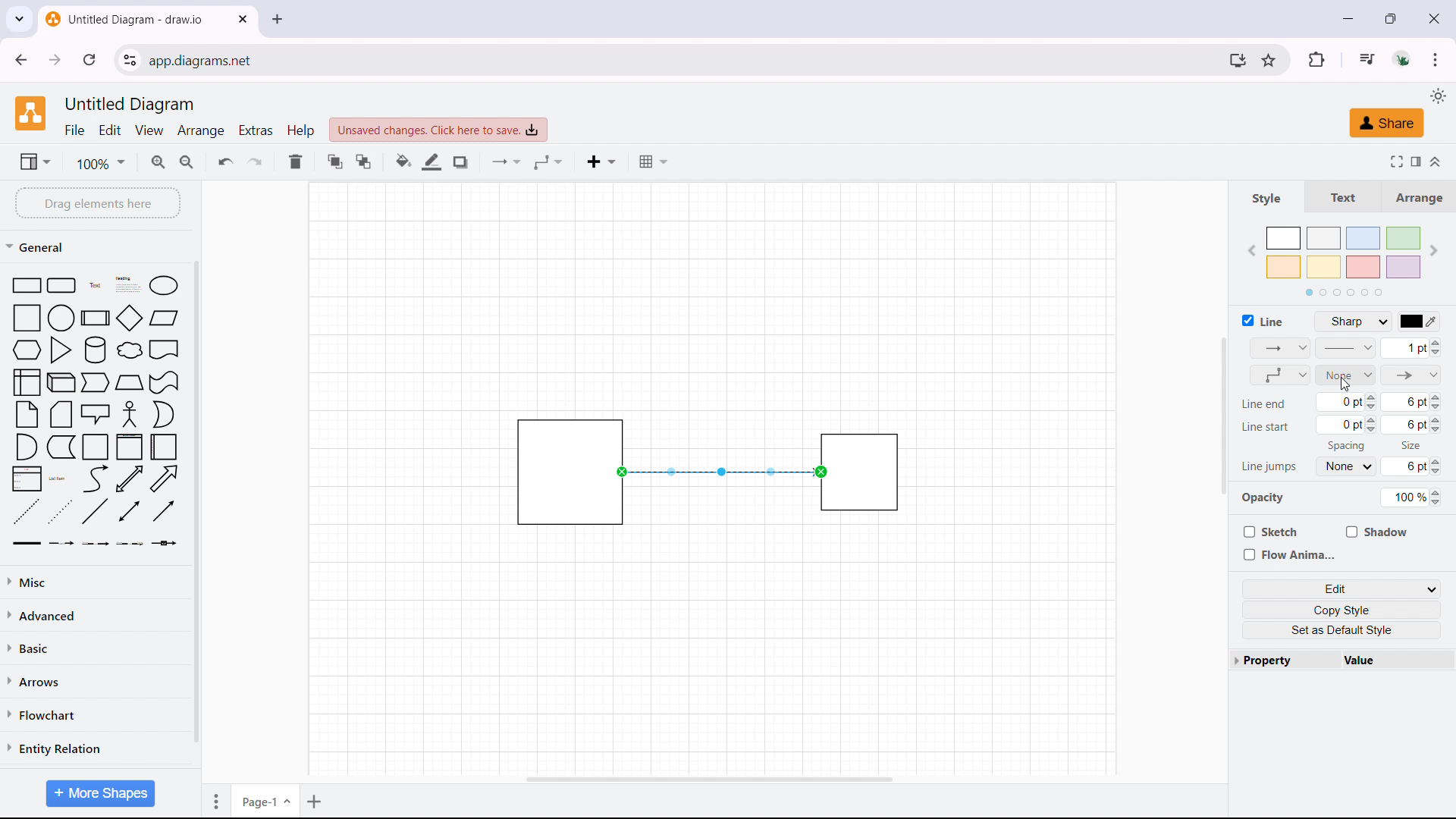 This screenshot has height=819, width=1456. I want to click on close tab, so click(278, 19).